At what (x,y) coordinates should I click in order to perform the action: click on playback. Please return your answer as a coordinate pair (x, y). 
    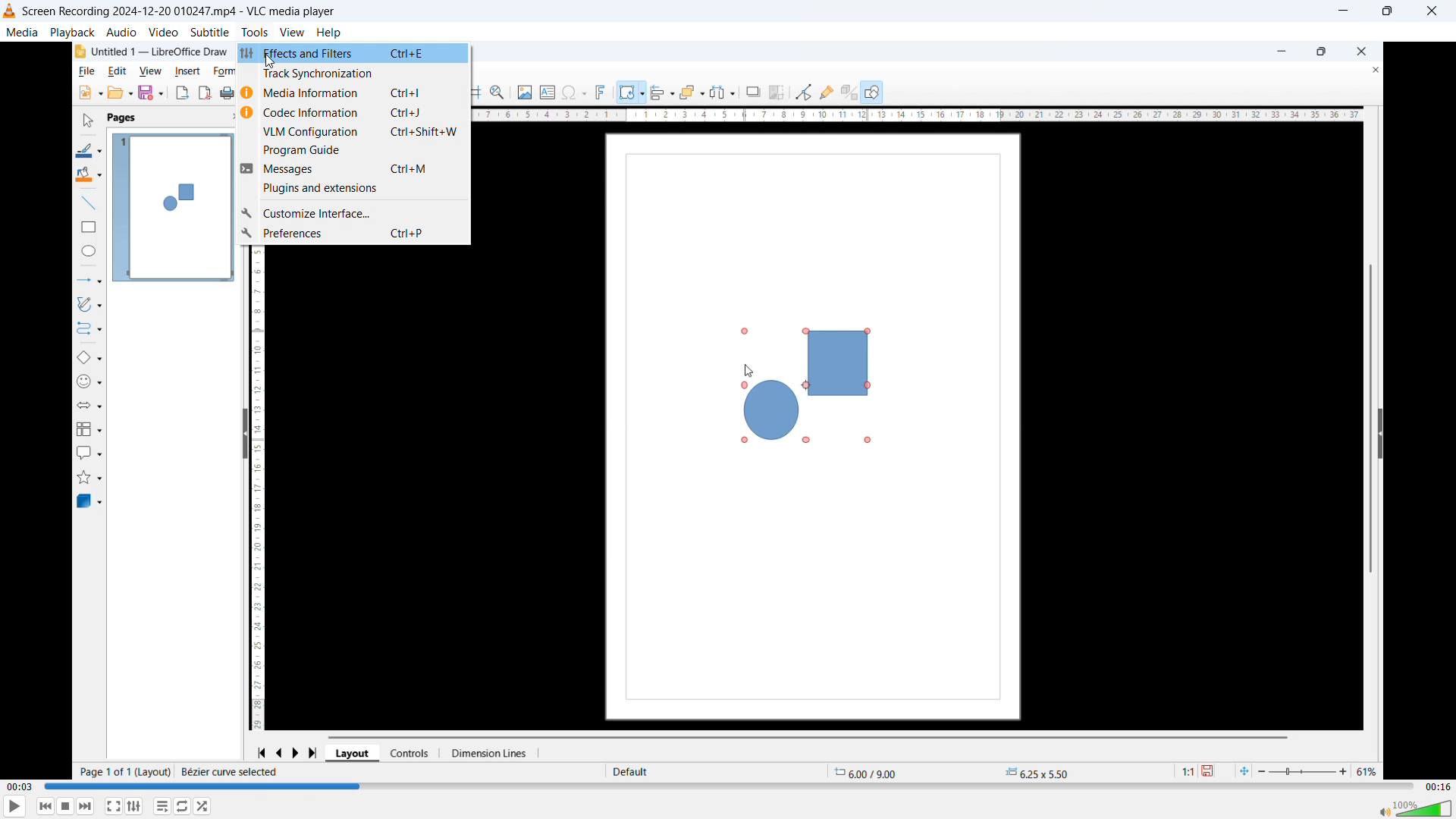
    Looking at the image, I should click on (72, 32).